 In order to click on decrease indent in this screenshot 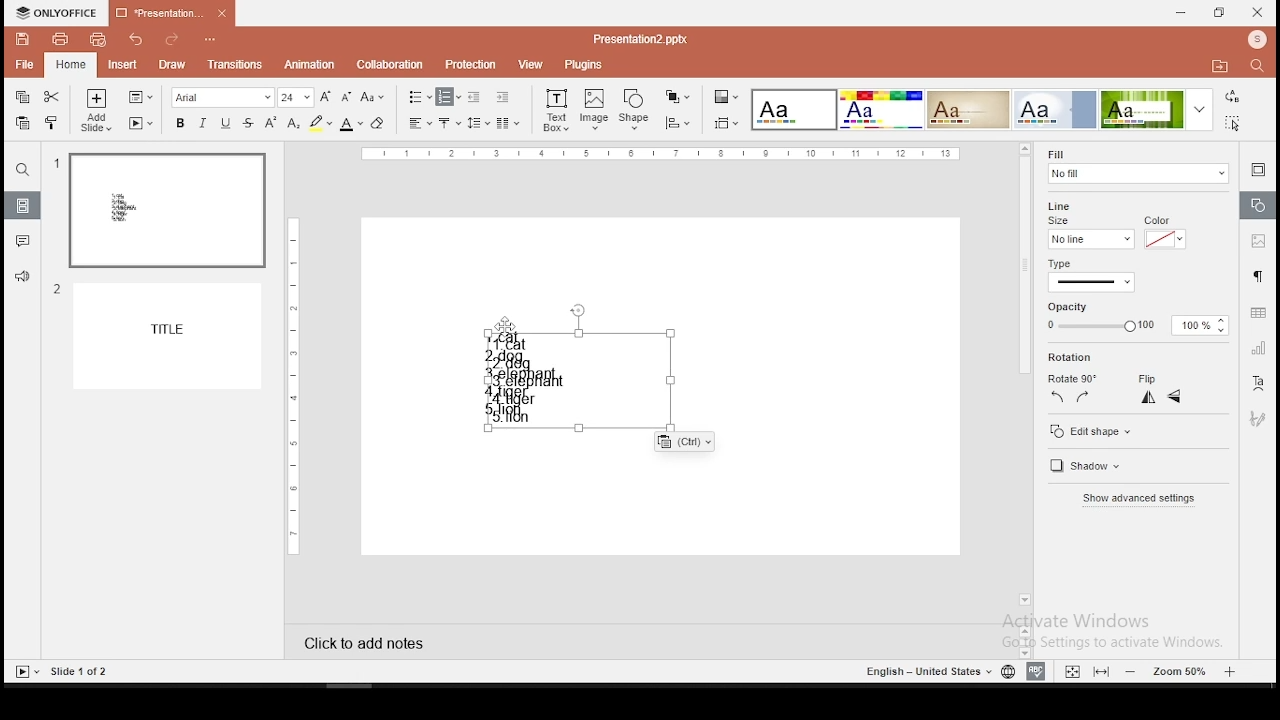, I will do `click(476, 96)`.